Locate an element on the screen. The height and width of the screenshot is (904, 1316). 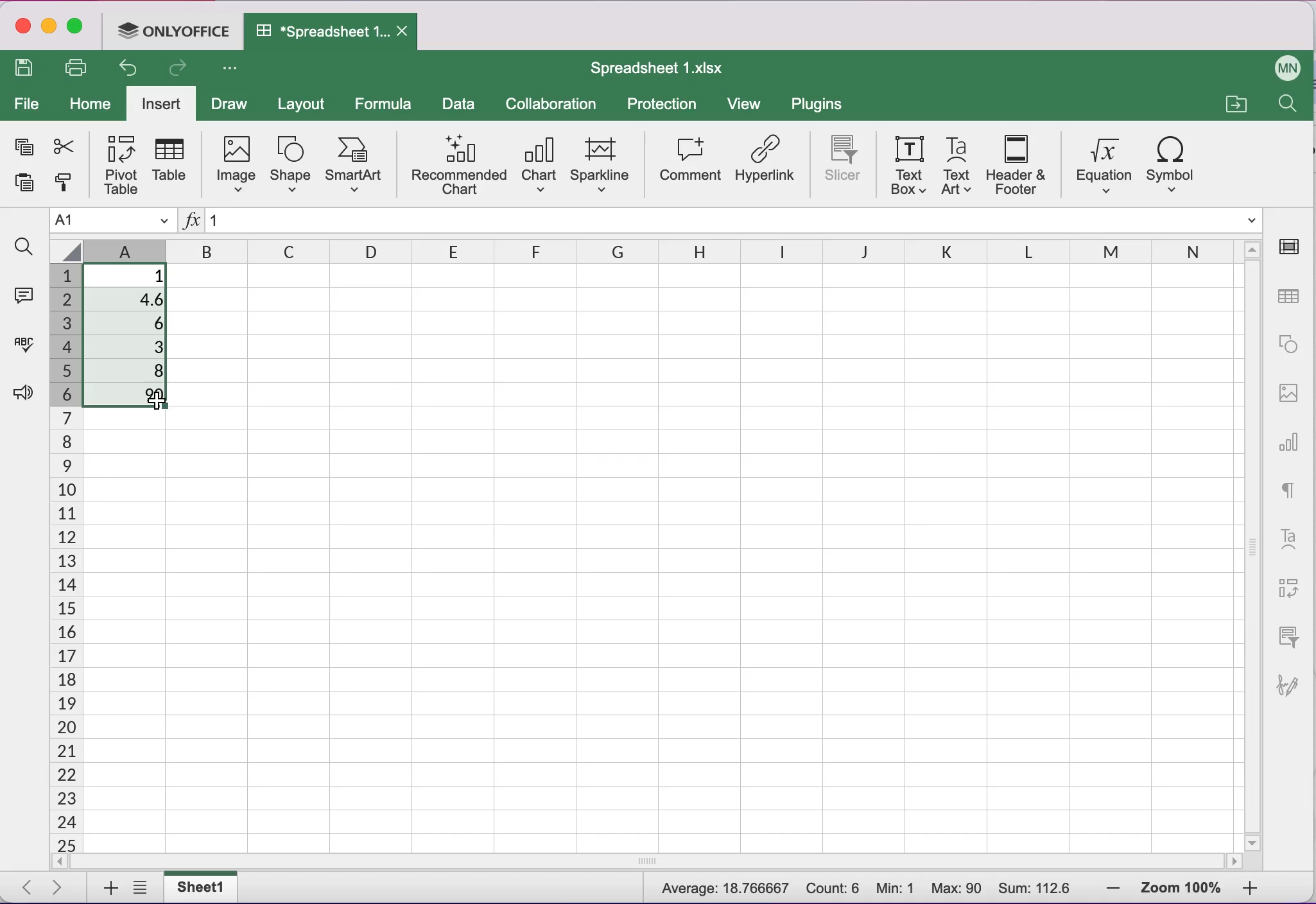
next sheet is located at coordinates (56, 889).